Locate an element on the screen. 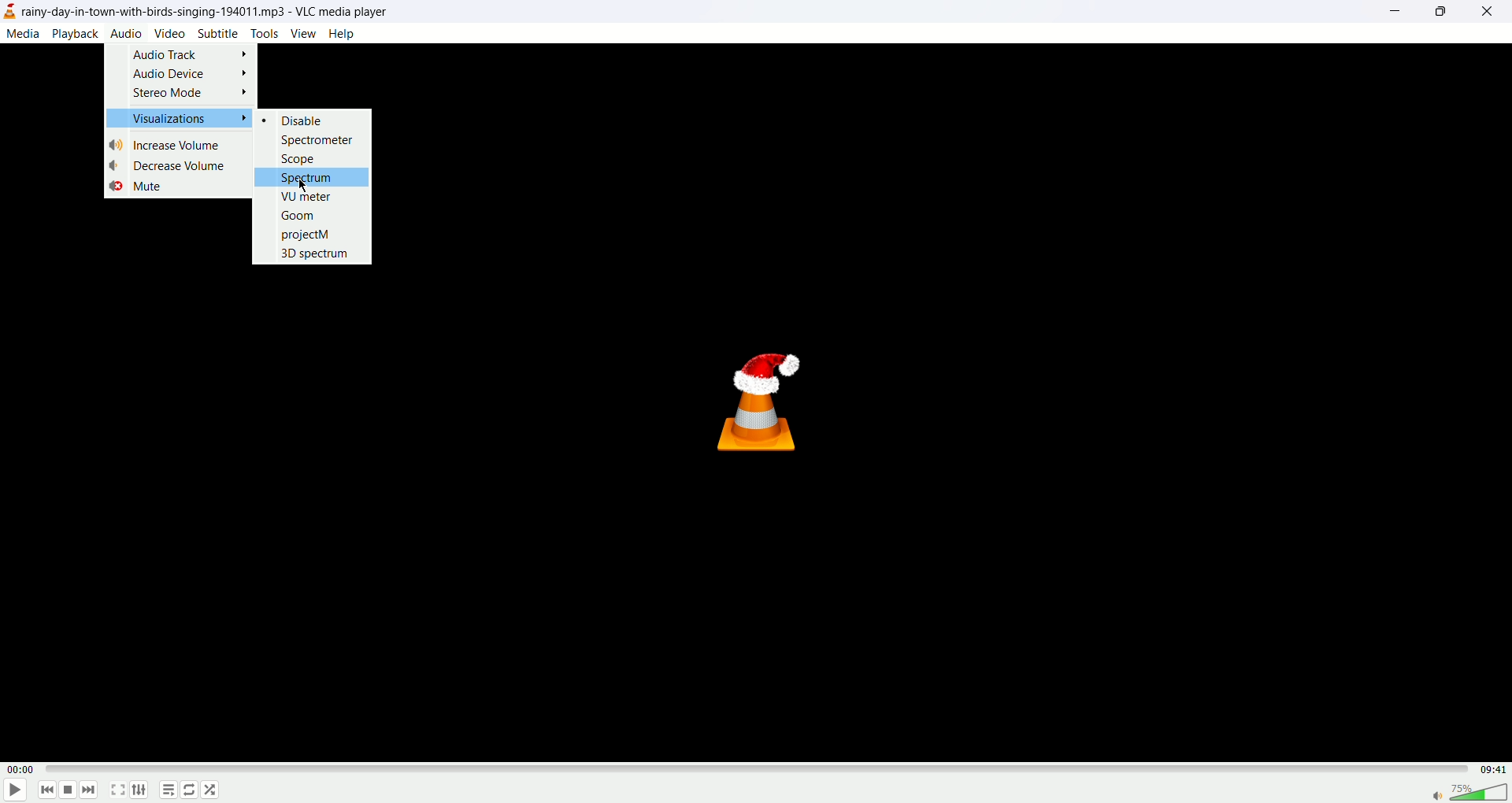 This screenshot has width=1512, height=803. full screen is located at coordinates (119, 791).